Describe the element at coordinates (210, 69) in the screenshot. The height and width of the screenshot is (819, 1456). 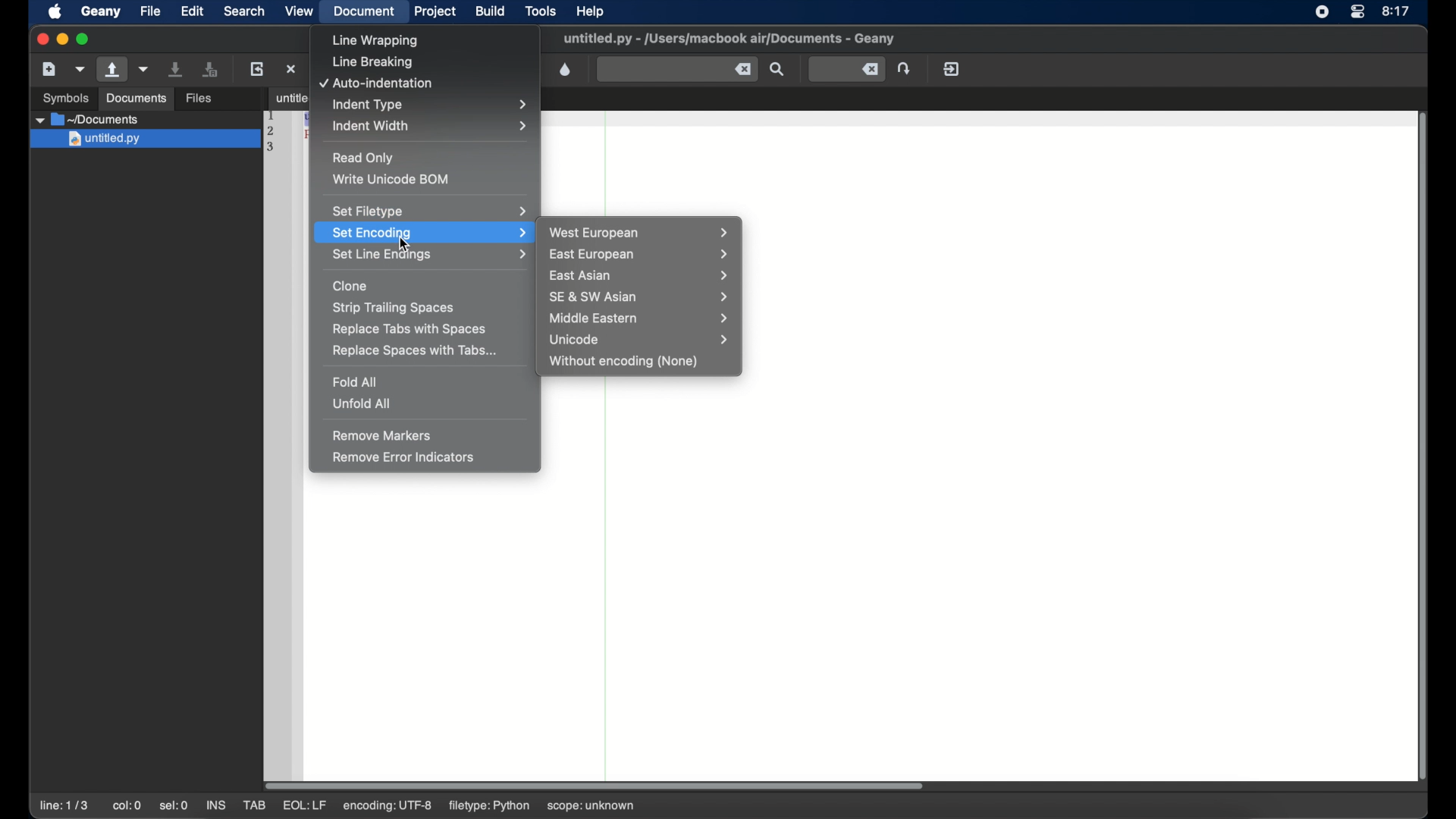
I see `save all open files` at that location.